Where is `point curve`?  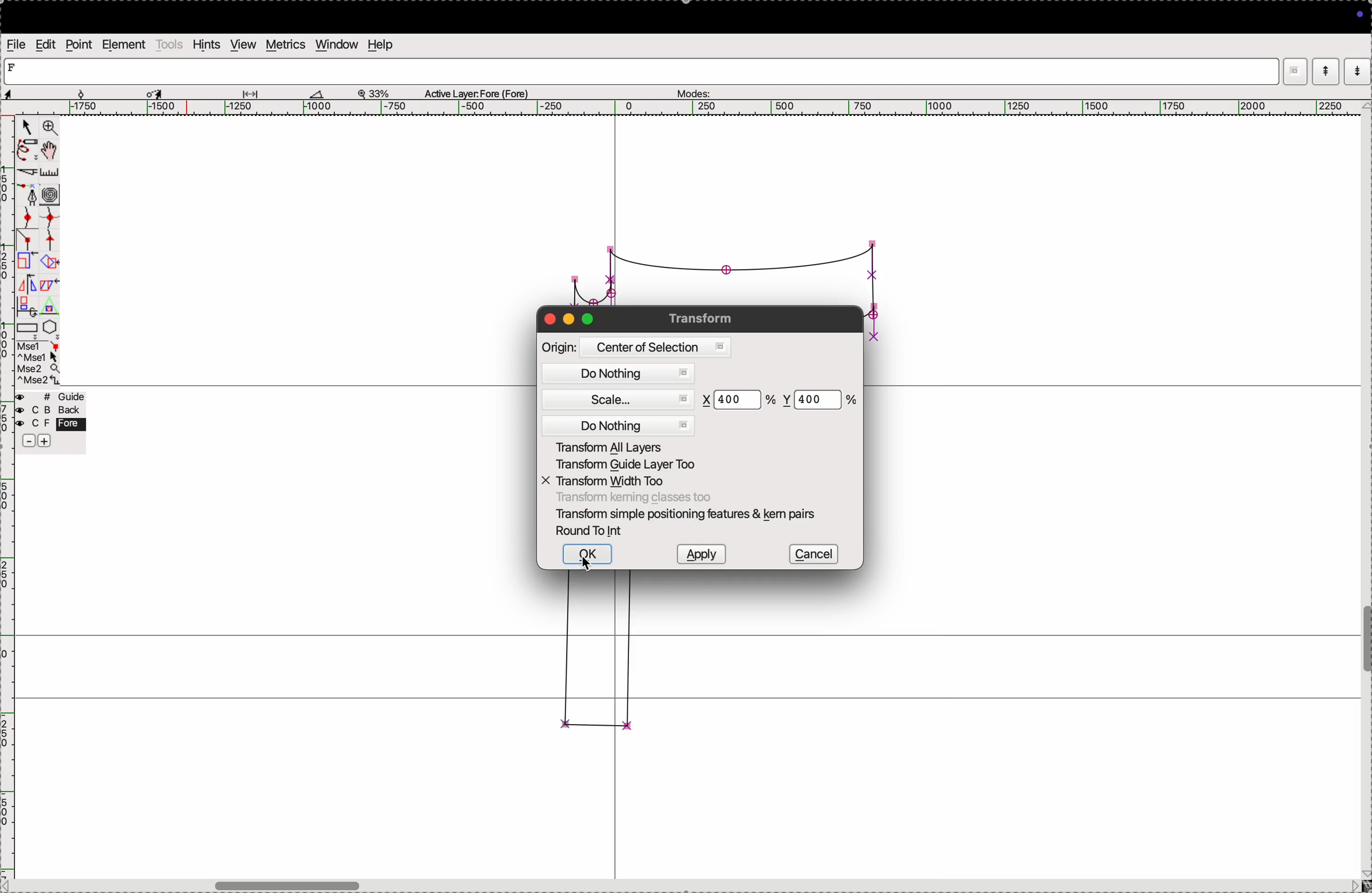
point curve is located at coordinates (29, 218).